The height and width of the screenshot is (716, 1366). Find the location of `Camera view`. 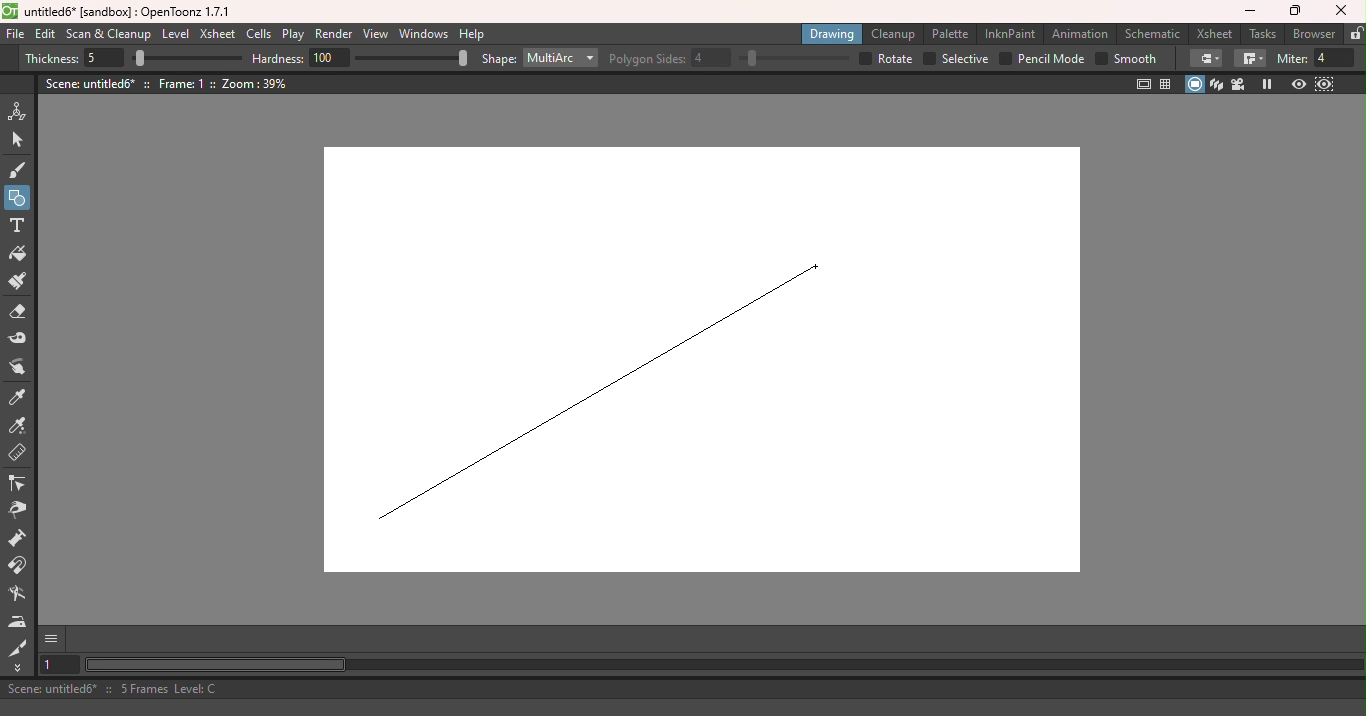

Camera view is located at coordinates (1238, 85).